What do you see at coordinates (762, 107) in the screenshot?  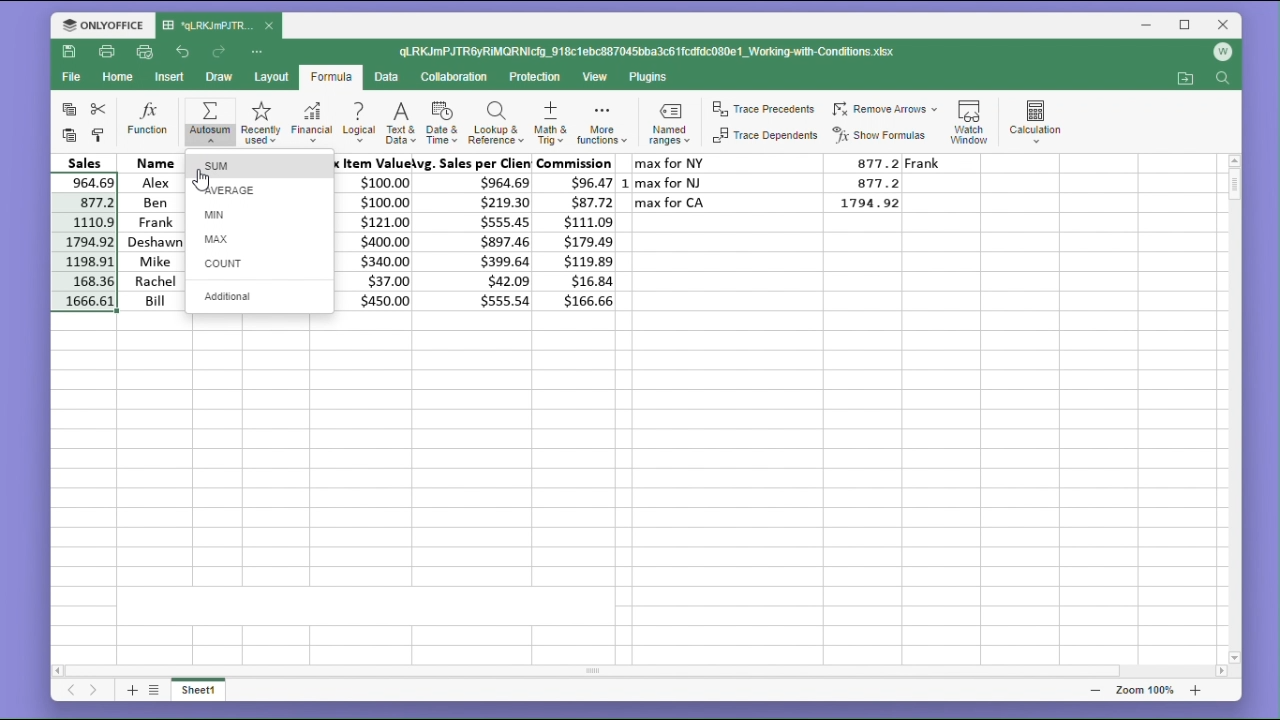 I see `trace predecents` at bounding box center [762, 107].